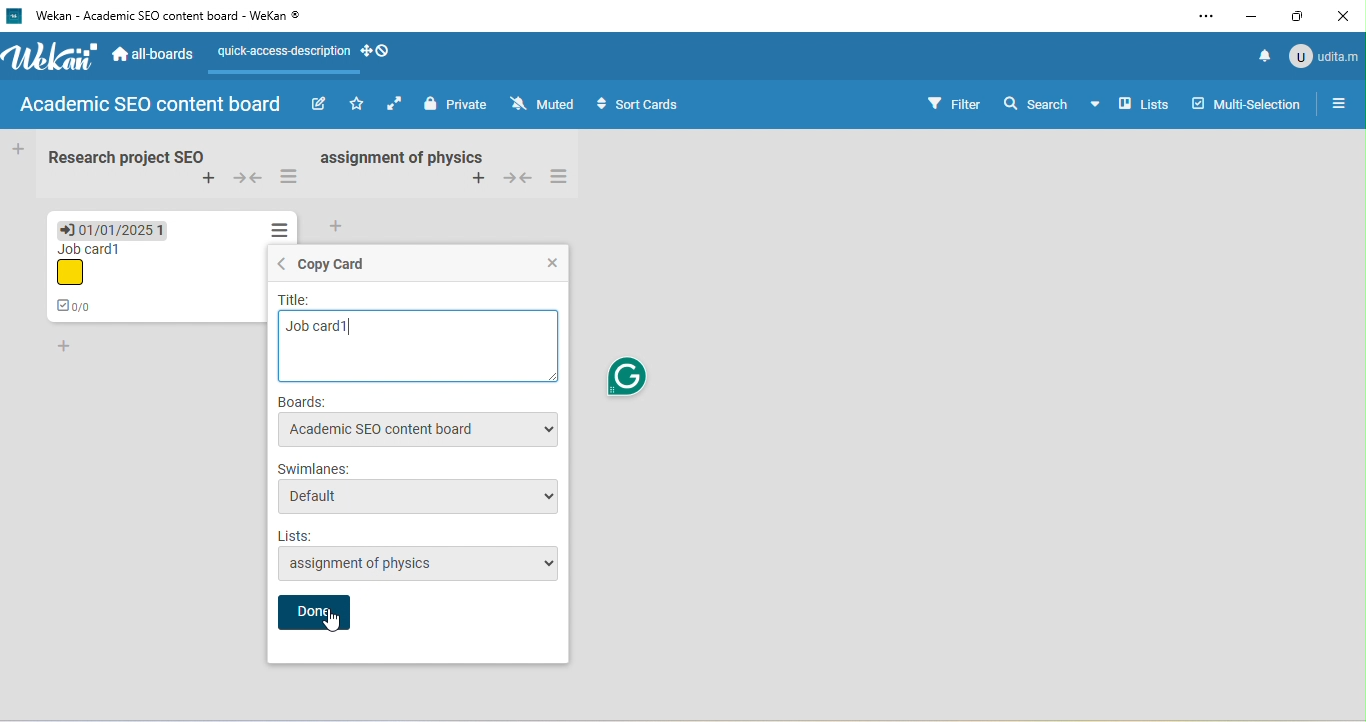 The image size is (1366, 722). Describe the element at coordinates (518, 176) in the screenshot. I see `collapse` at that location.